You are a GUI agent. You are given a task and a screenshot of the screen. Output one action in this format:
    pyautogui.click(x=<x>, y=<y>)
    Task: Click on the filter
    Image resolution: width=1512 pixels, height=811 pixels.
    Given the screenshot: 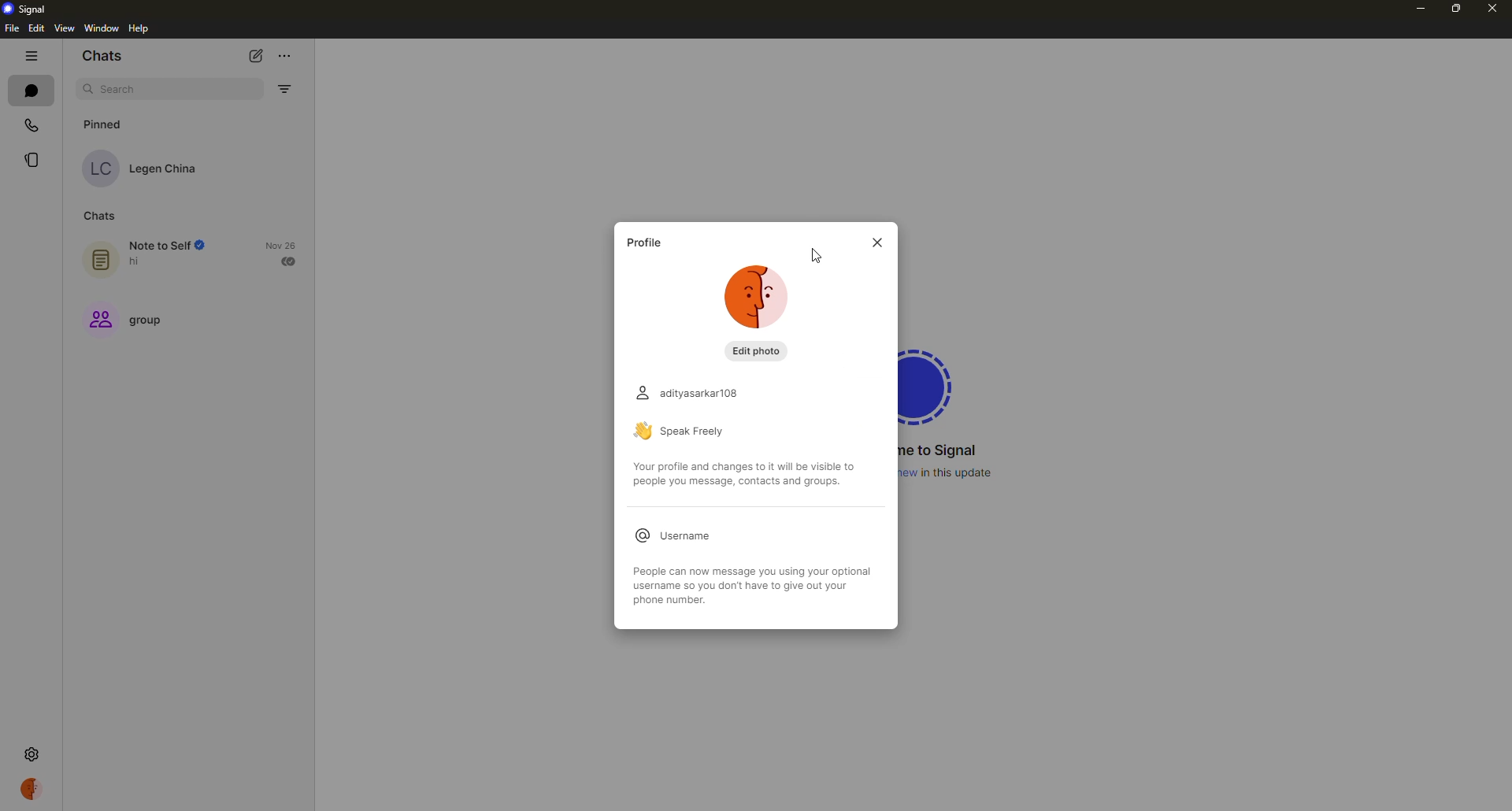 What is the action you would take?
    pyautogui.click(x=283, y=89)
    